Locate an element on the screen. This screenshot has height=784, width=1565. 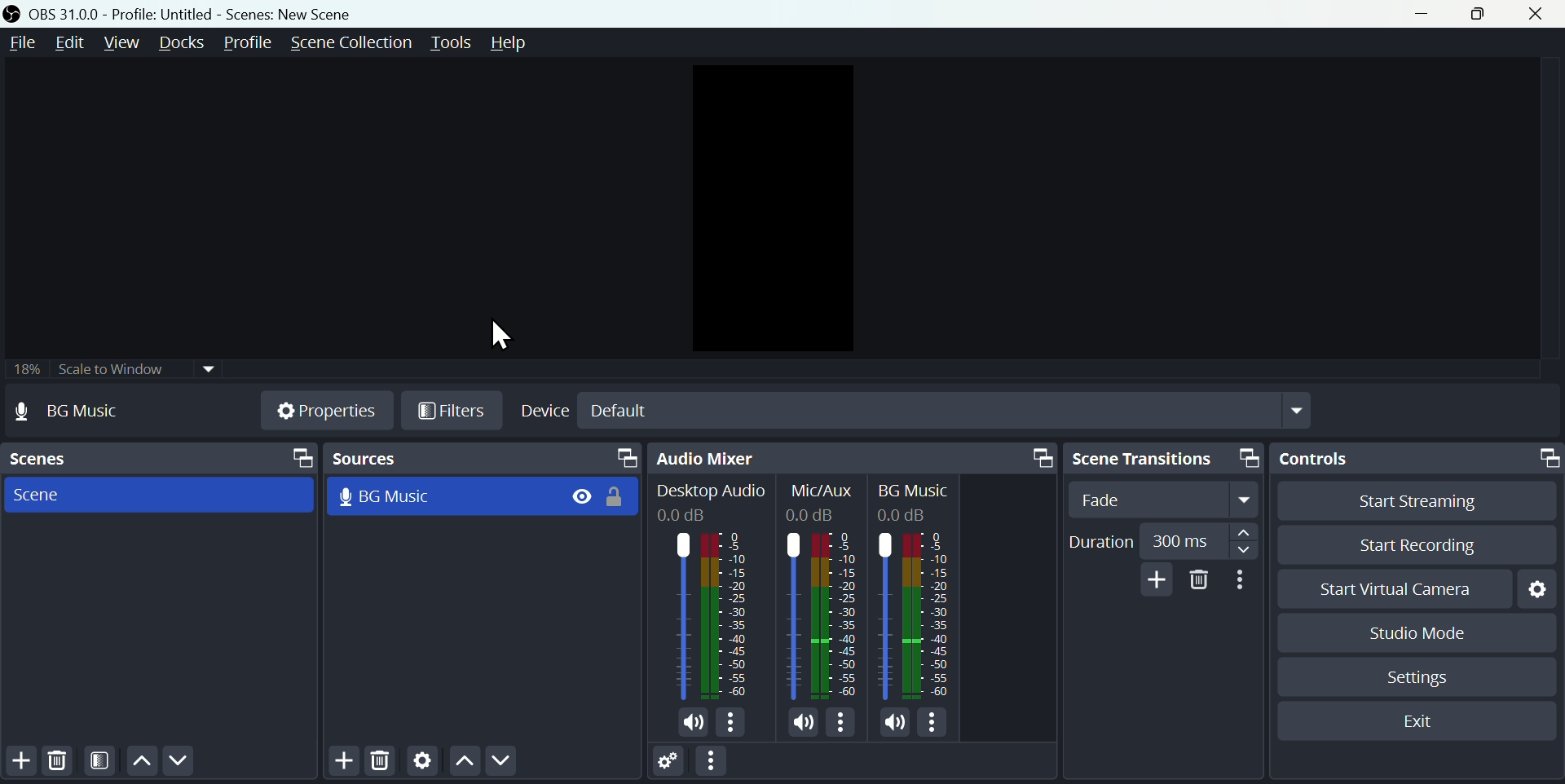
Controls is located at coordinates (1417, 455).